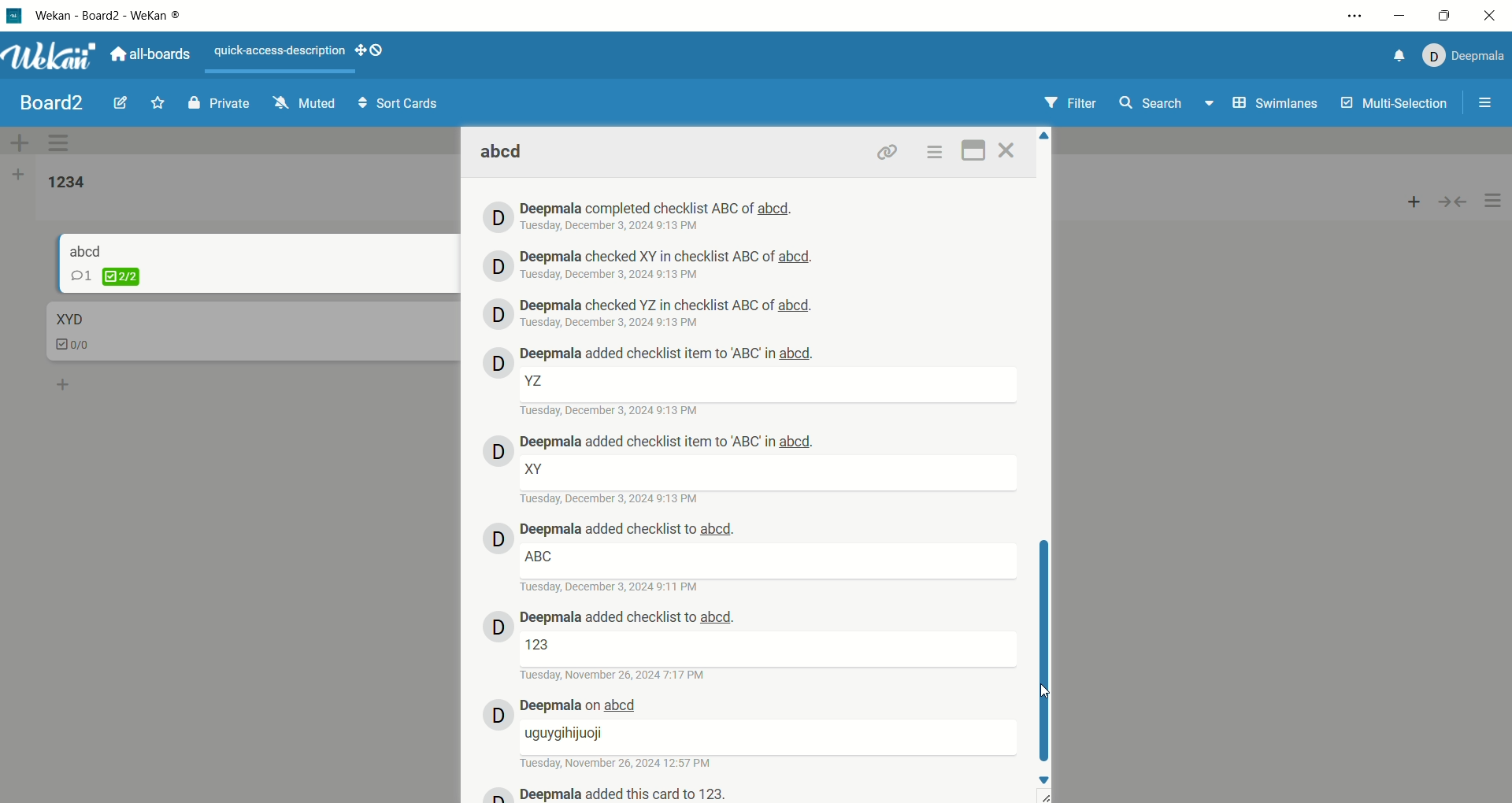 The height and width of the screenshot is (803, 1512). What do you see at coordinates (535, 468) in the screenshot?
I see `text` at bounding box center [535, 468].